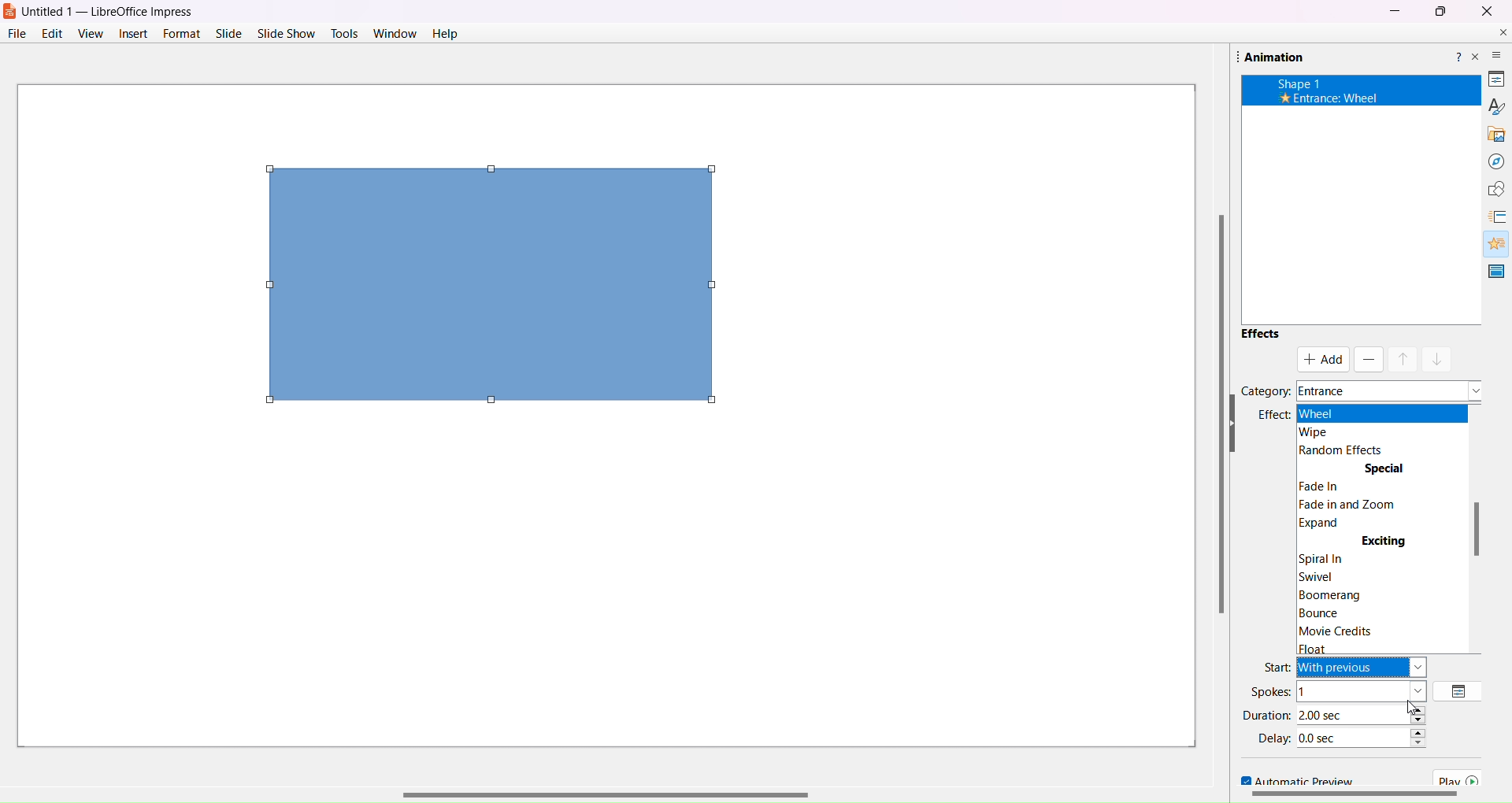 The image size is (1512, 803). What do you see at coordinates (1403, 359) in the screenshot?
I see `move up` at bounding box center [1403, 359].